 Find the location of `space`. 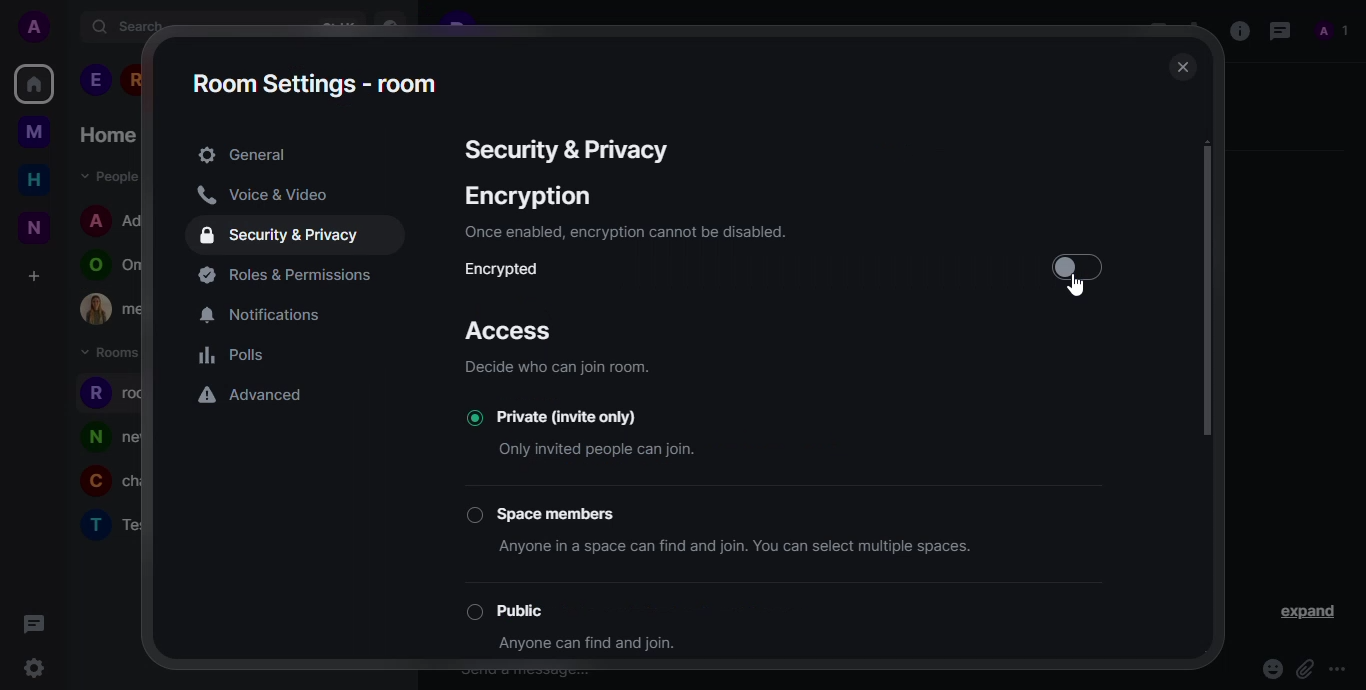

space is located at coordinates (562, 511).